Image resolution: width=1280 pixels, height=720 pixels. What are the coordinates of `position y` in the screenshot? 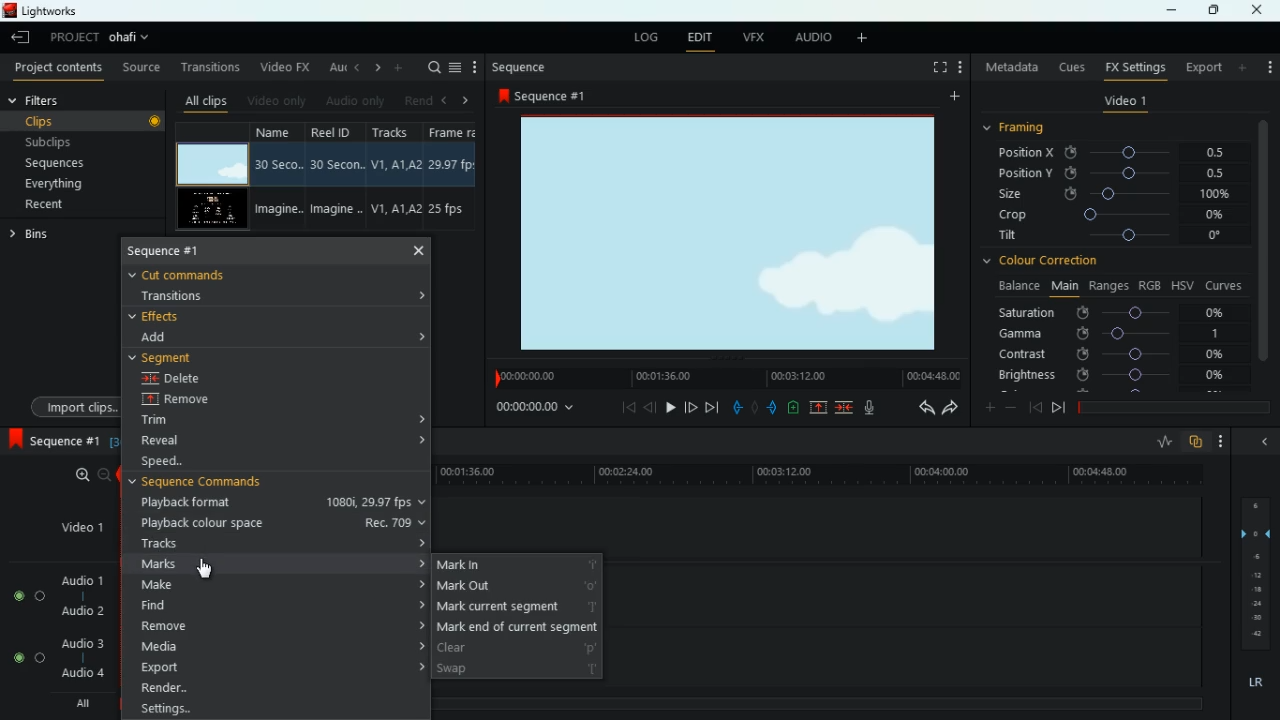 It's located at (1104, 174).